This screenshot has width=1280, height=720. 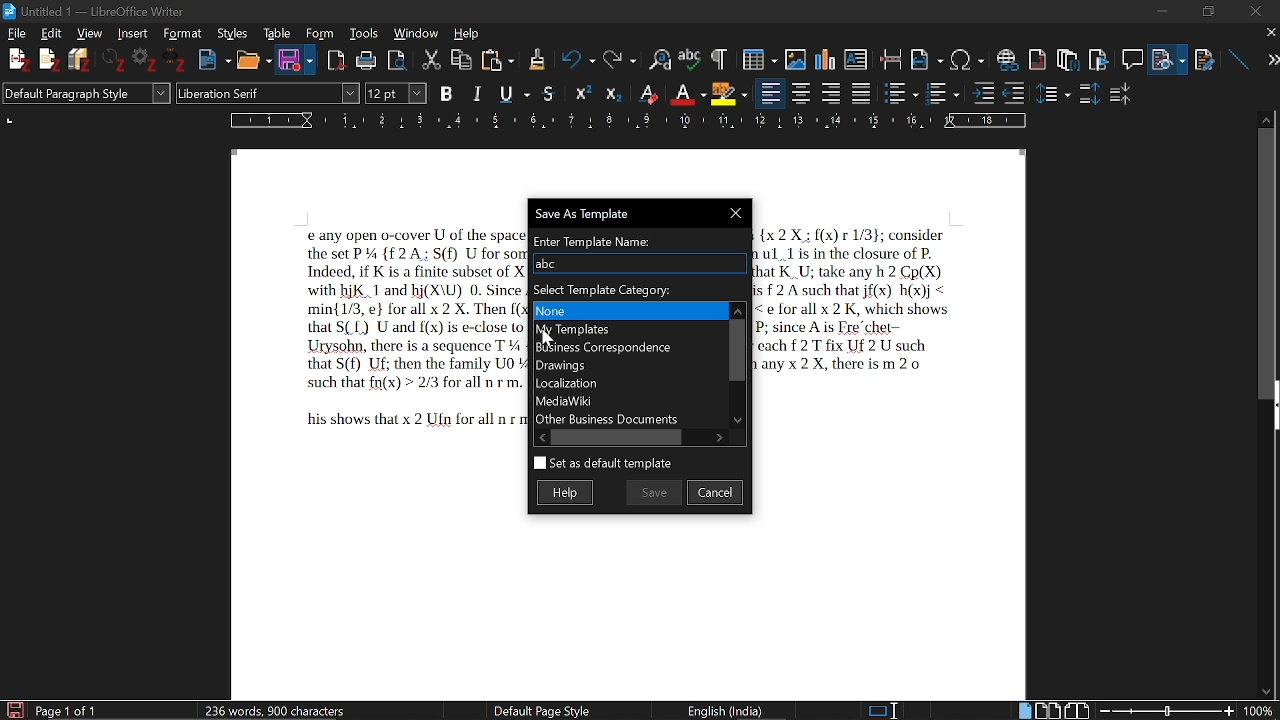 I want to click on change zoom, so click(x=1185, y=710).